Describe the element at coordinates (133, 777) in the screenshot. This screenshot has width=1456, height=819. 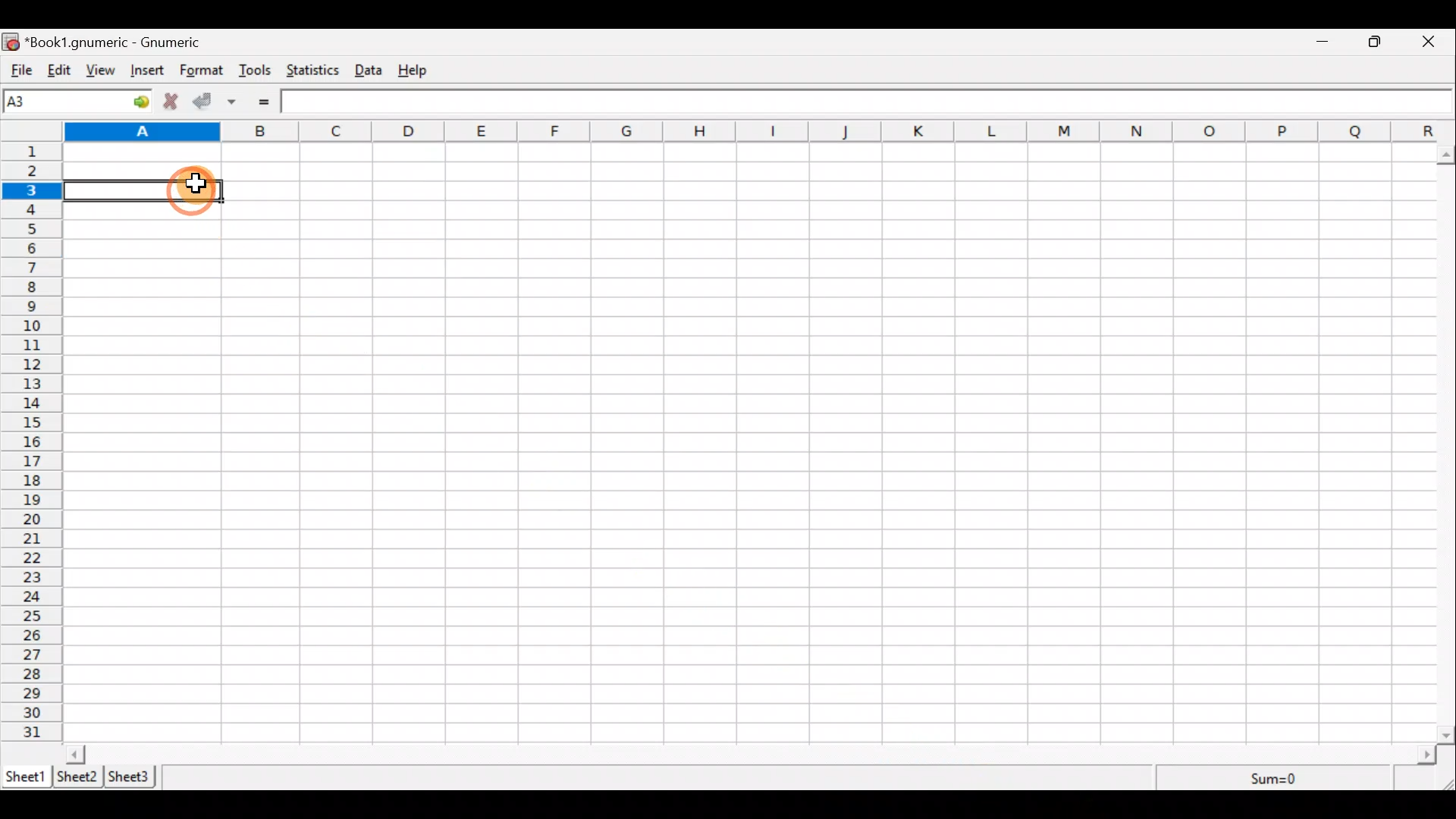
I see `Sheet 3` at that location.